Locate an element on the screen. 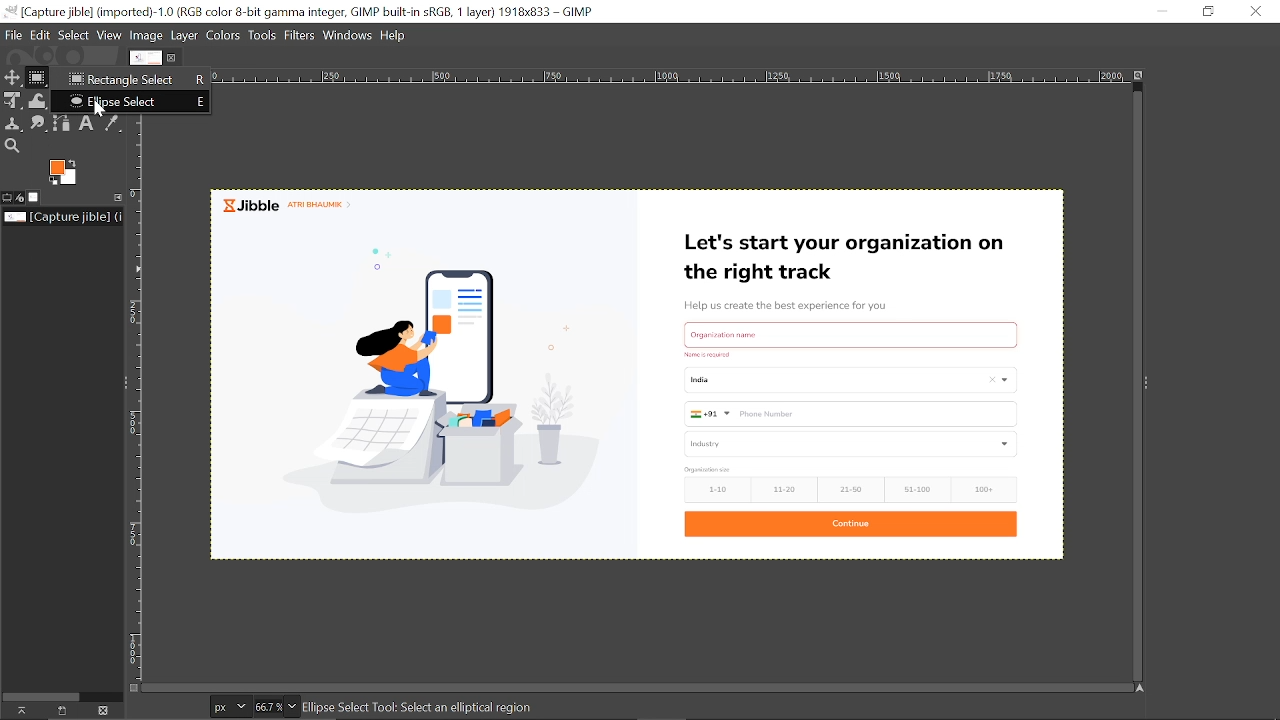 Image resolution: width=1280 pixels, height=720 pixels. Filters is located at coordinates (302, 35).